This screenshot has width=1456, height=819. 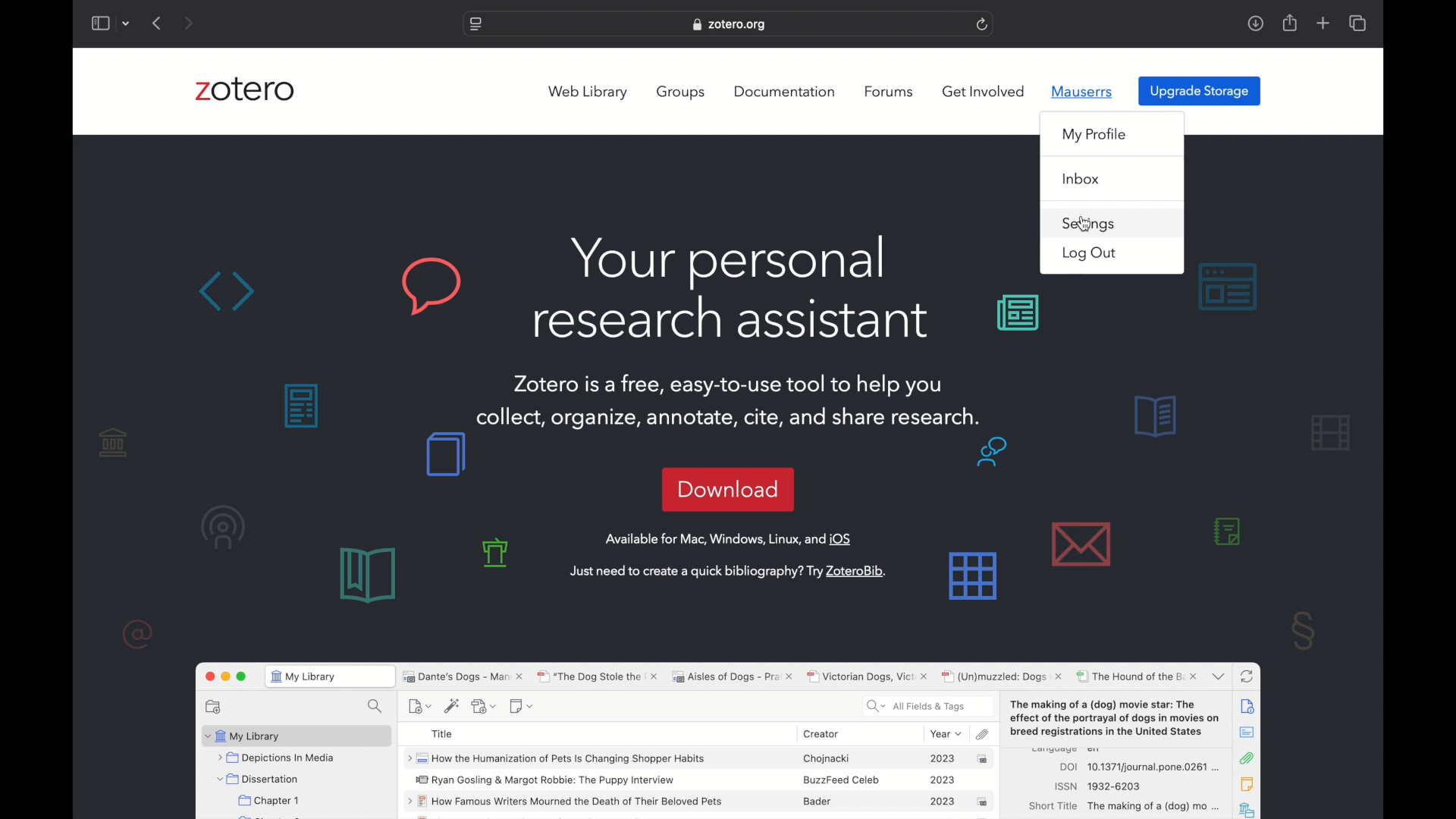 What do you see at coordinates (784, 92) in the screenshot?
I see `documentation` at bounding box center [784, 92].